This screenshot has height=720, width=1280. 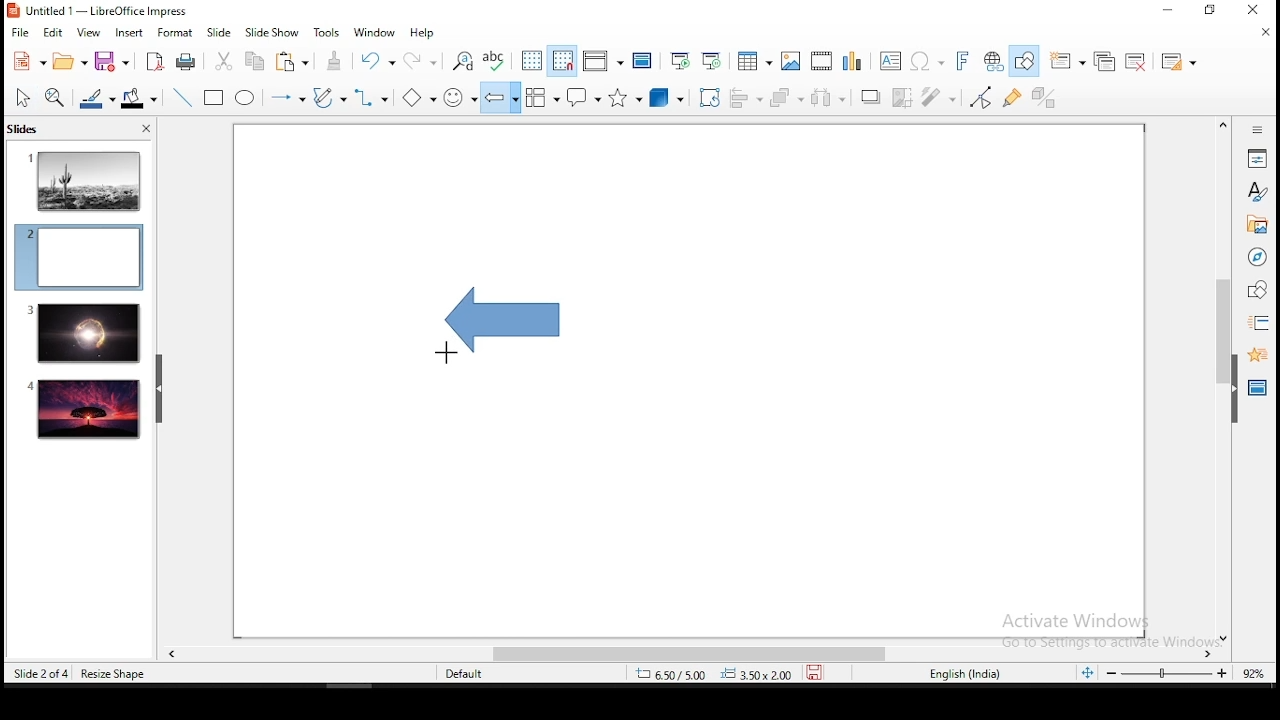 What do you see at coordinates (819, 62) in the screenshot?
I see `insert audio and video` at bounding box center [819, 62].